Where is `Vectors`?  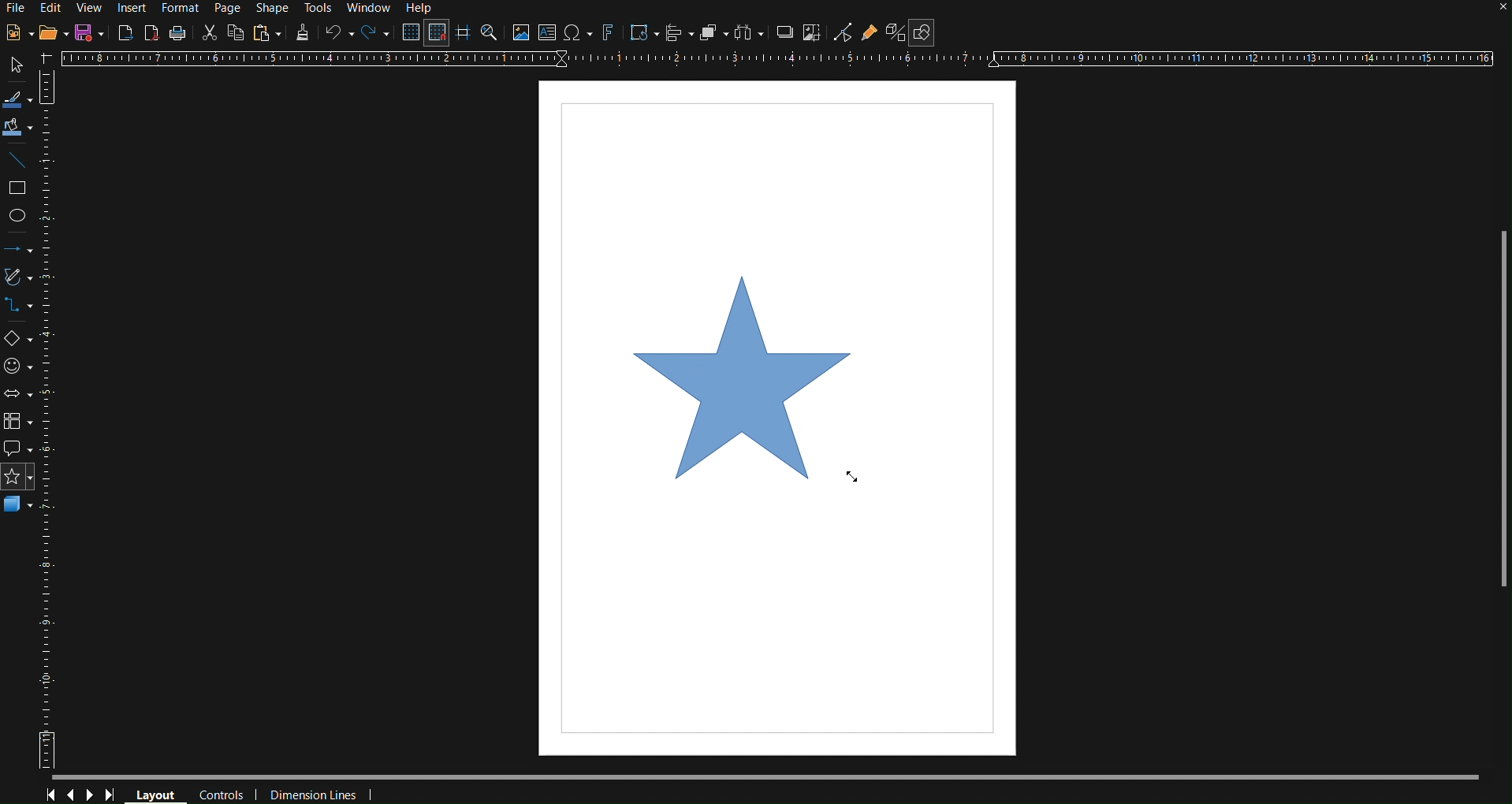 Vectors is located at coordinates (20, 280).